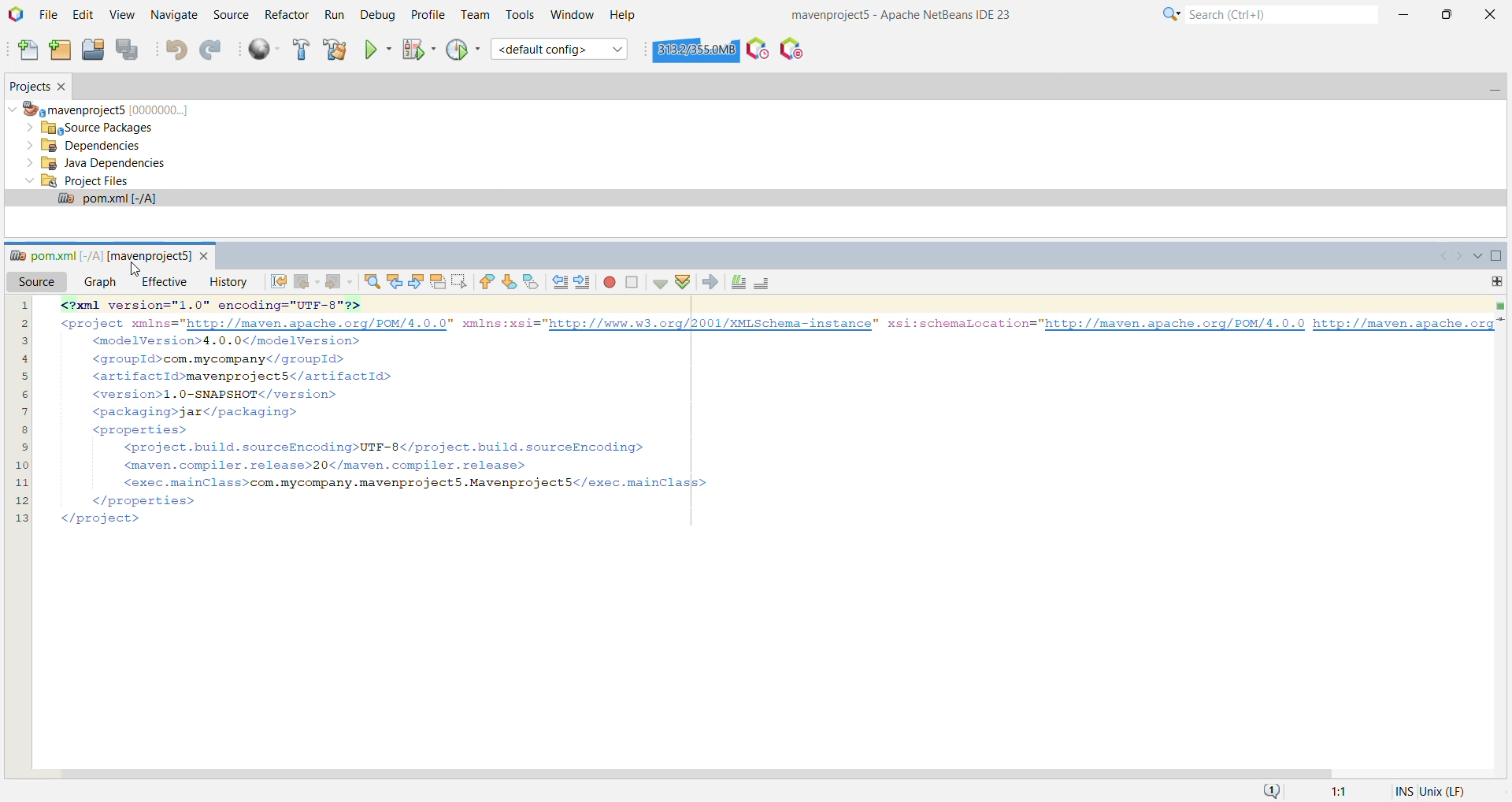  What do you see at coordinates (63, 85) in the screenshot?
I see `Close Project Window` at bounding box center [63, 85].